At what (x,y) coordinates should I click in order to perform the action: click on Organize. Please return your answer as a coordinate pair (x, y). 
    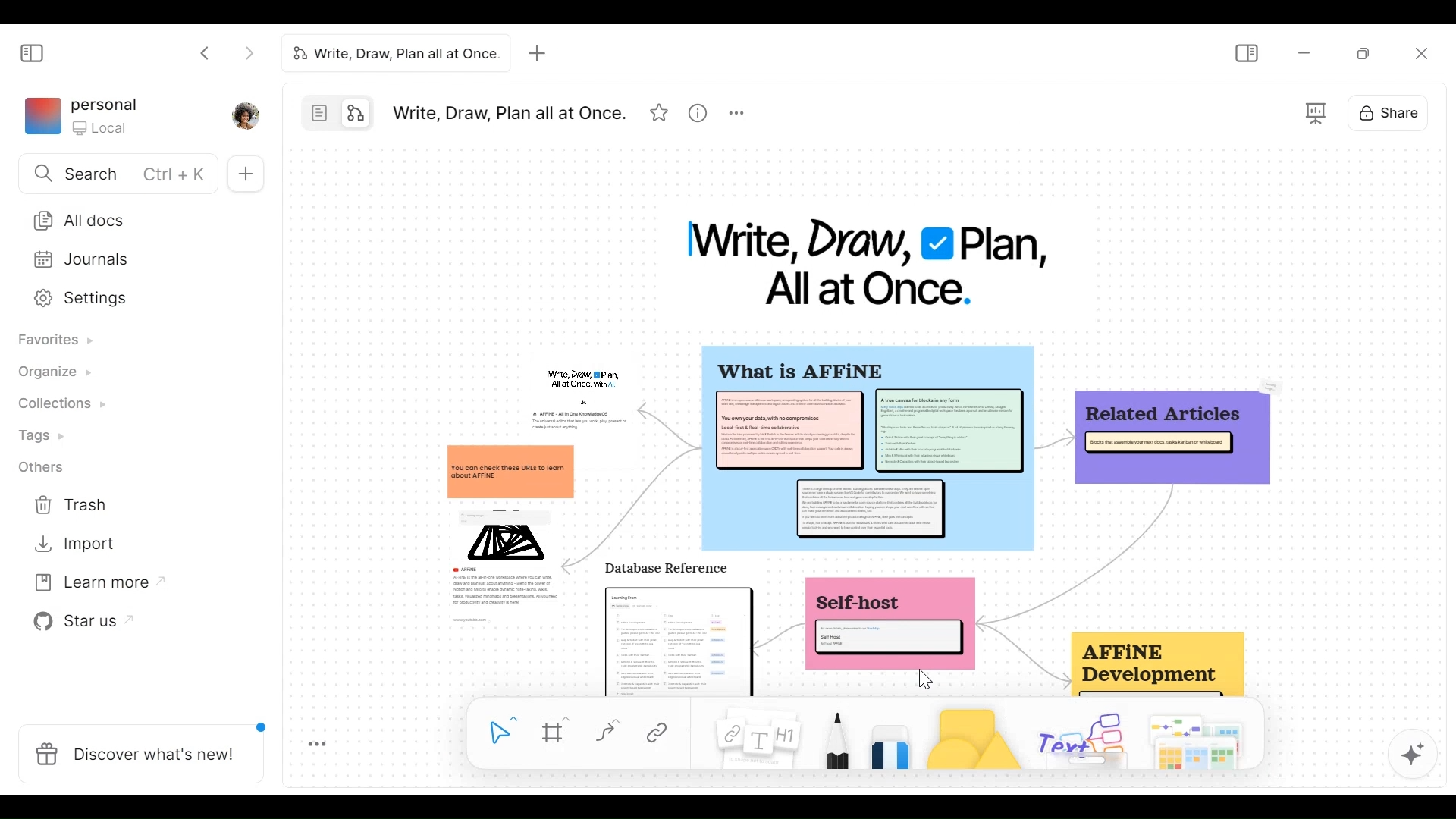
    Looking at the image, I should click on (48, 374).